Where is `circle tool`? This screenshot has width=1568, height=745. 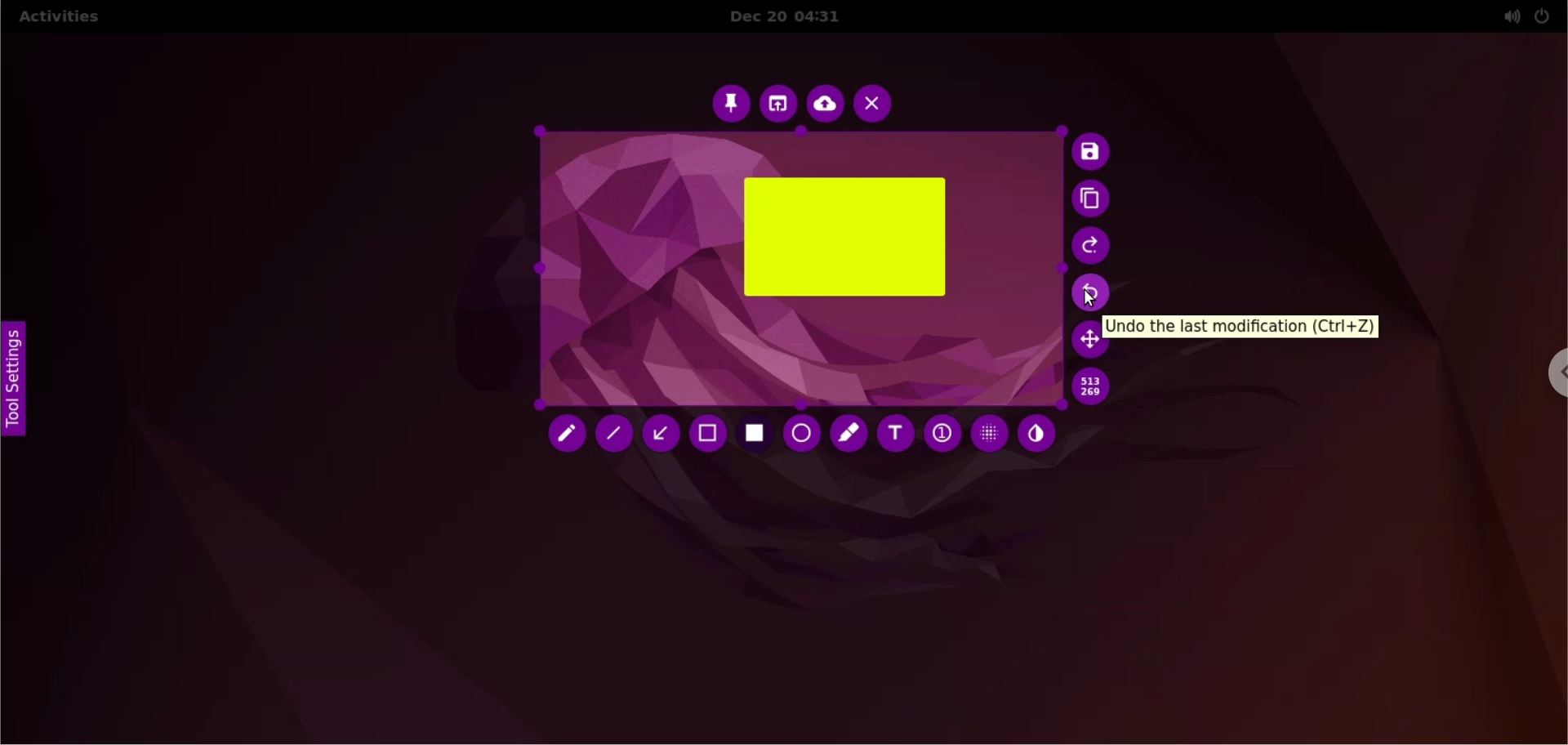 circle tool is located at coordinates (801, 434).